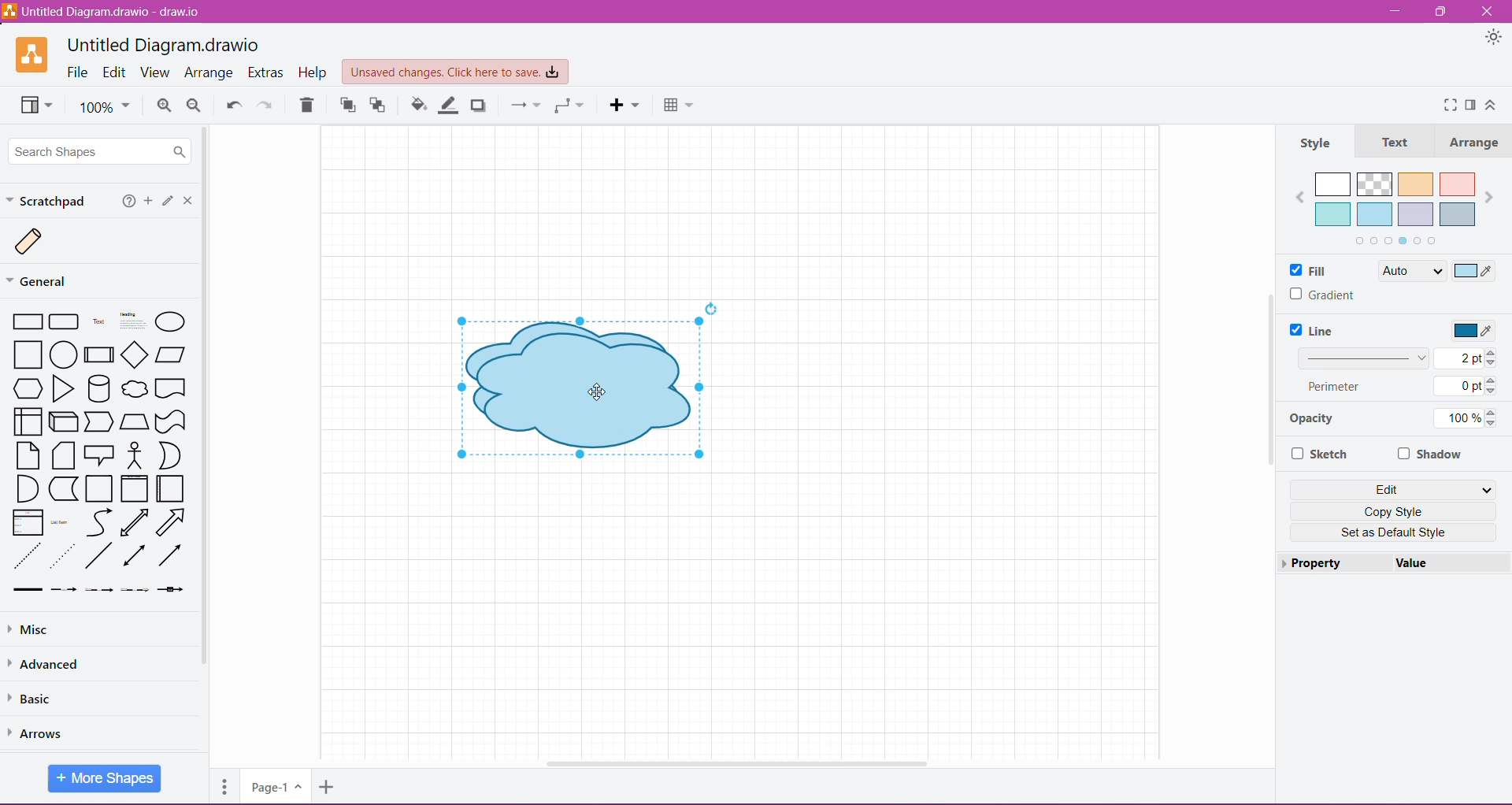 The width and height of the screenshot is (1512, 805). Describe the element at coordinates (38, 699) in the screenshot. I see `Basic` at that location.